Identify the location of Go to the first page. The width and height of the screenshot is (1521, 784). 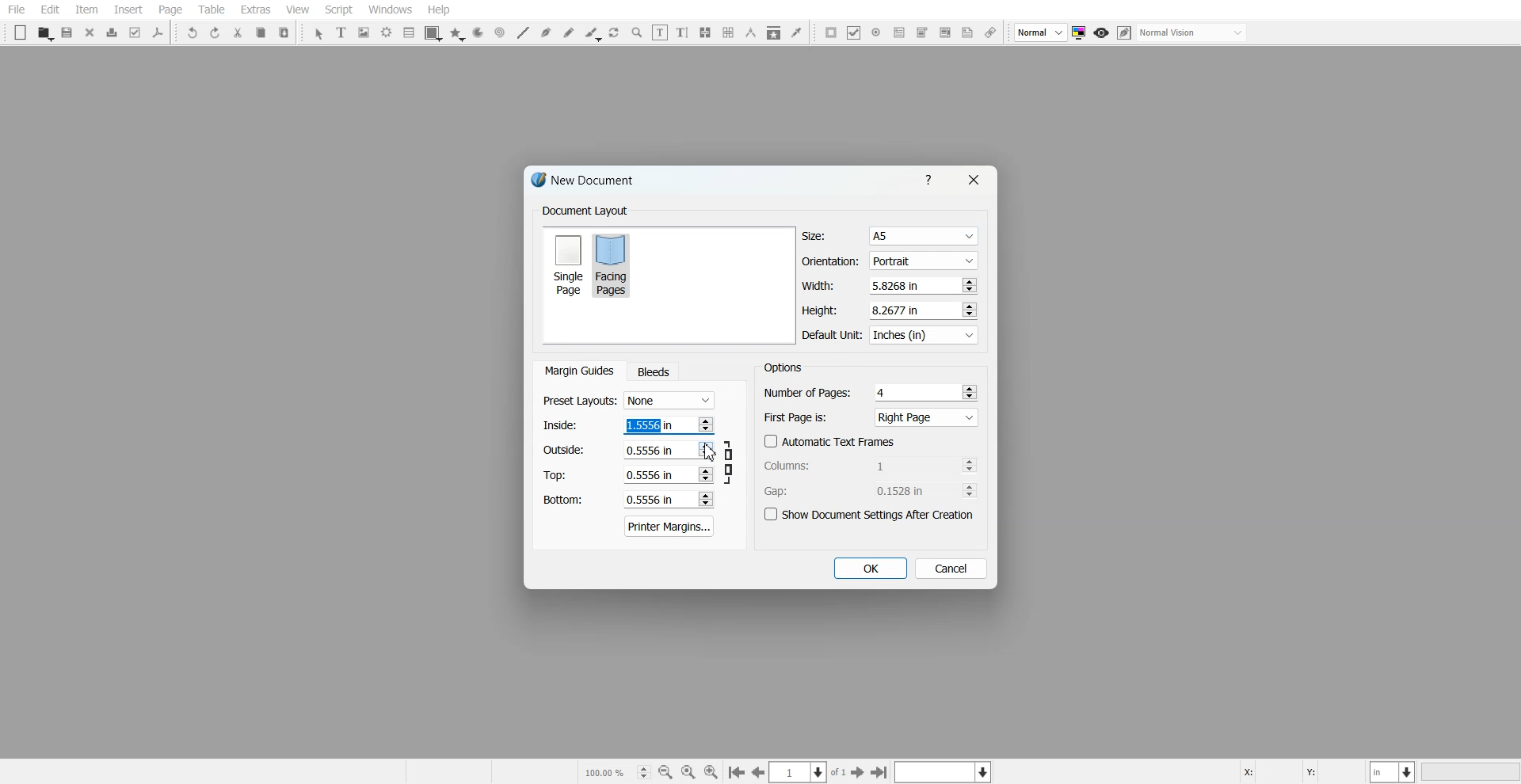
(736, 773).